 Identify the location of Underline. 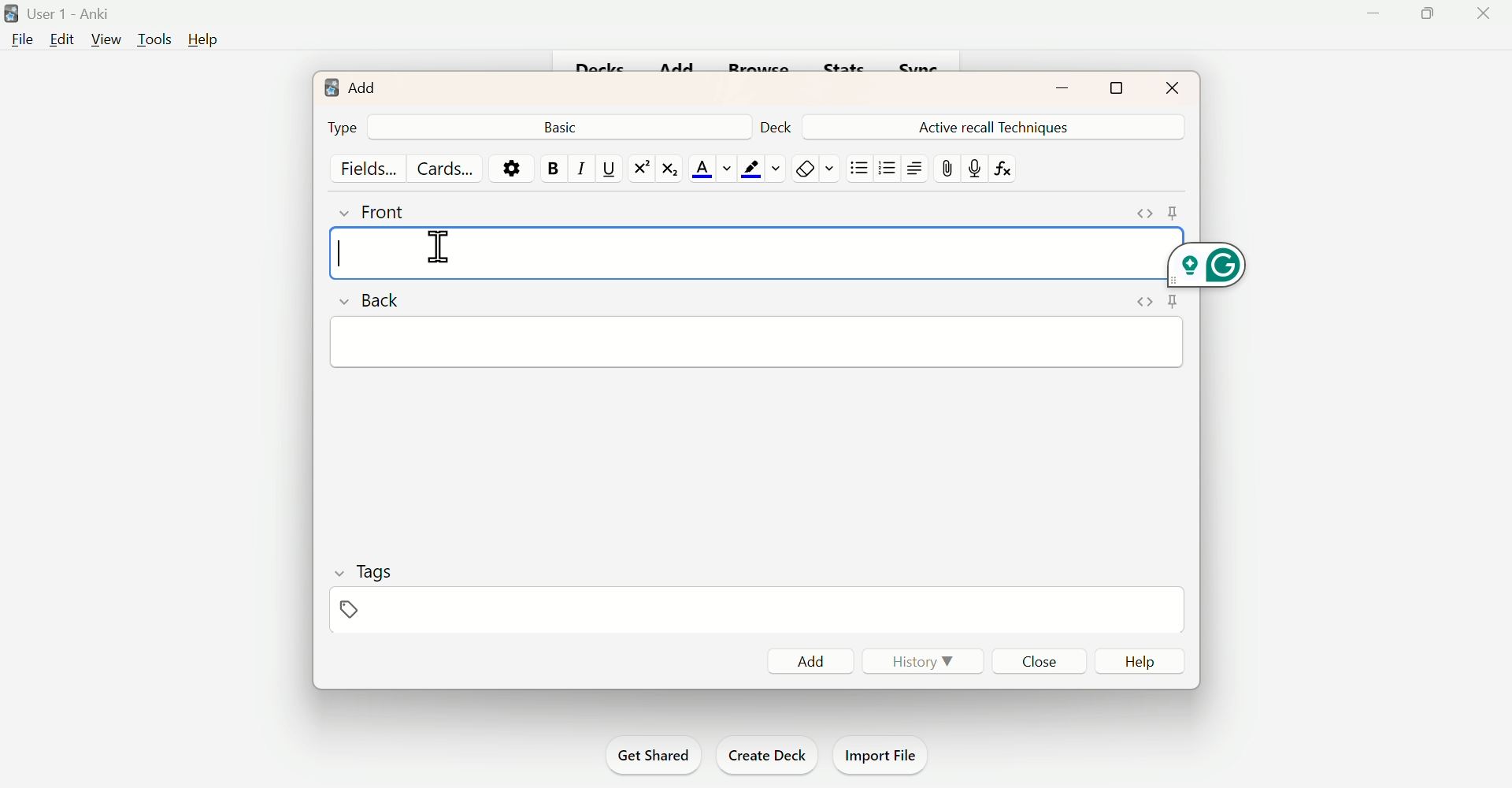
(609, 170).